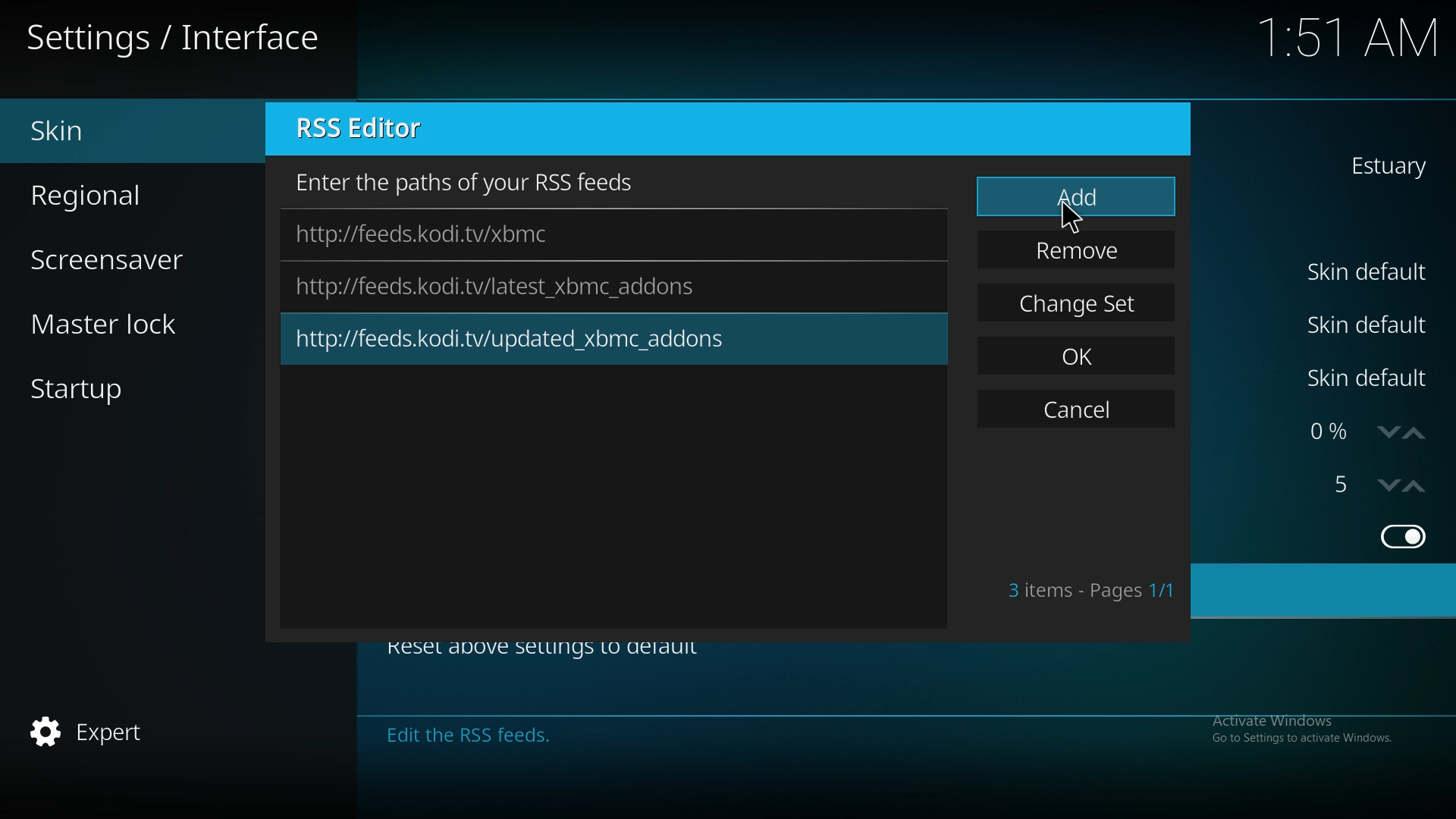 This screenshot has width=1456, height=819. Describe the element at coordinates (178, 40) in the screenshot. I see `settings/interface` at that location.